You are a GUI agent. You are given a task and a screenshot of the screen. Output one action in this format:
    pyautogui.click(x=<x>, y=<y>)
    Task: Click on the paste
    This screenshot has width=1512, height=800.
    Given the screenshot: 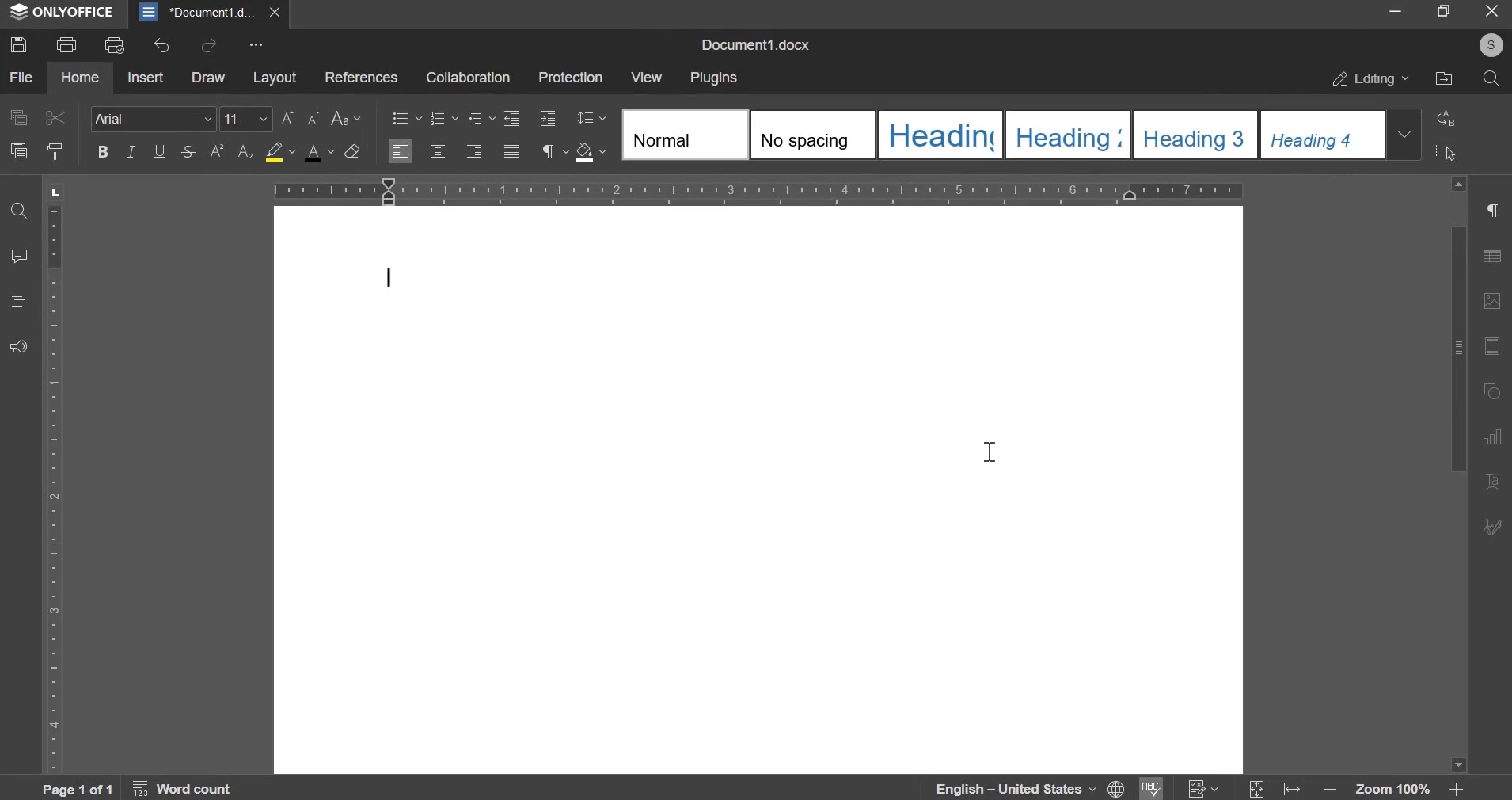 What is the action you would take?
    pyautogui.click(x=58, y=153)
    